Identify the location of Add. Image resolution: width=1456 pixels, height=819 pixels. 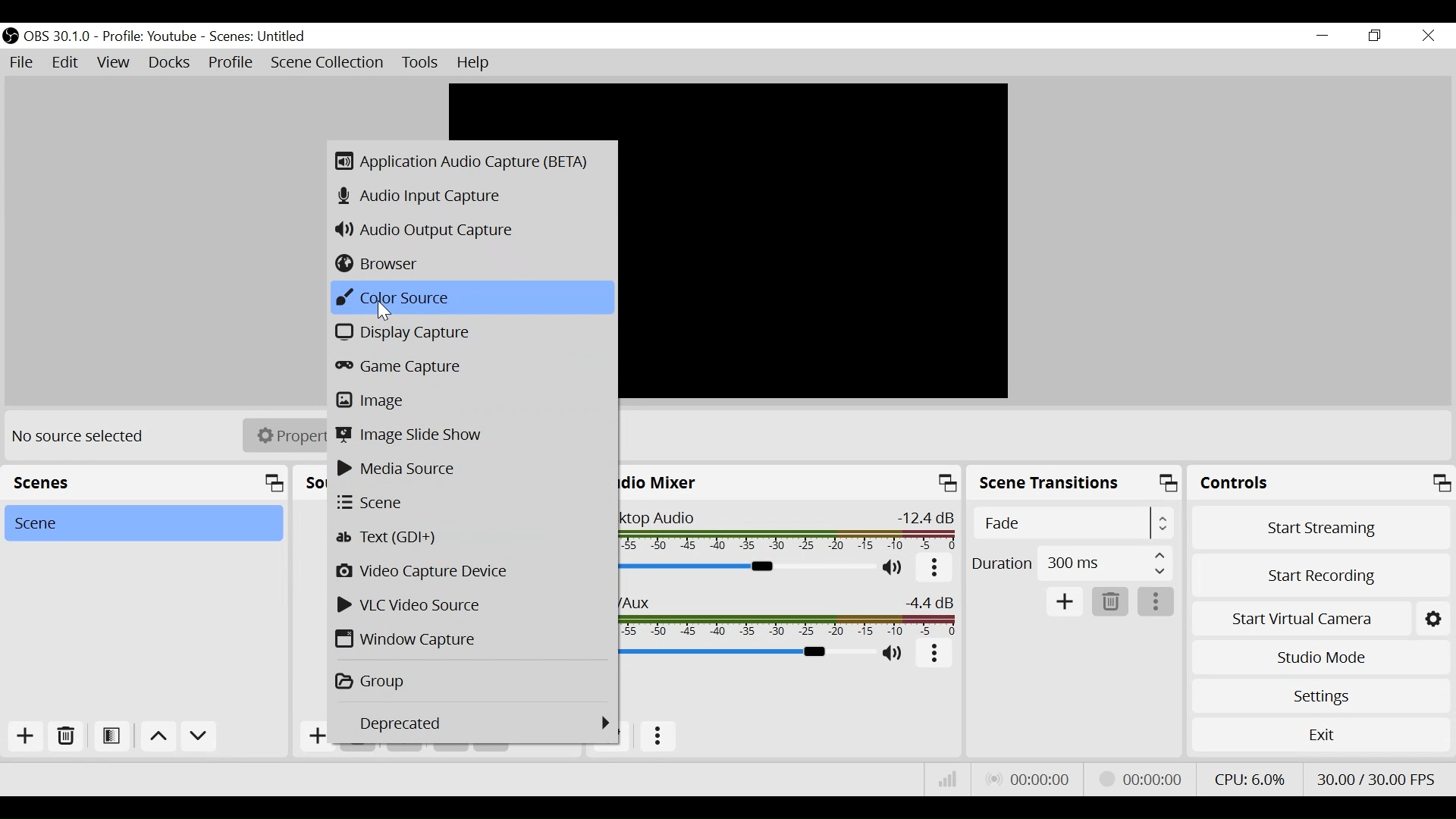
(1065, 602).